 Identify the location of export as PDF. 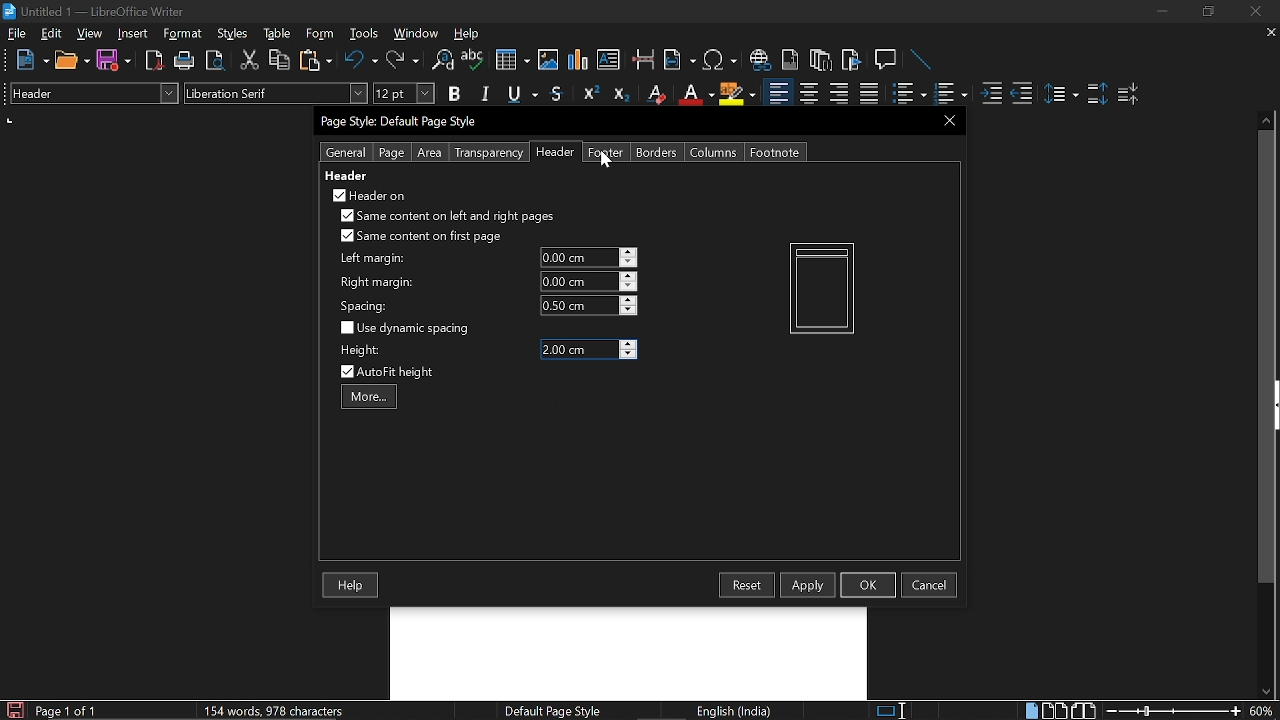
(155, 62).